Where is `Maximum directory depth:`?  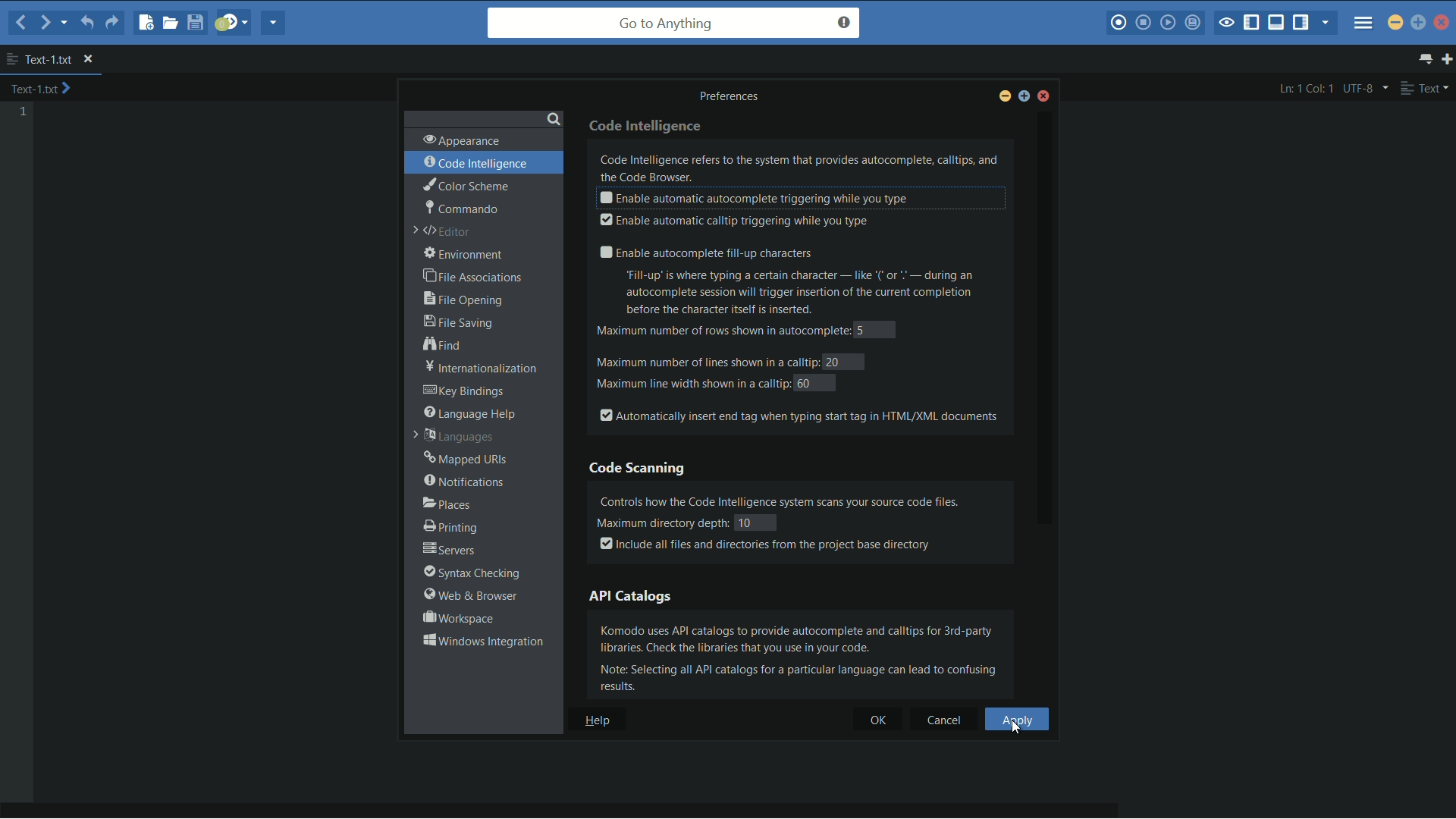 Maximum directory depth: is located at coordinates (661, 522).